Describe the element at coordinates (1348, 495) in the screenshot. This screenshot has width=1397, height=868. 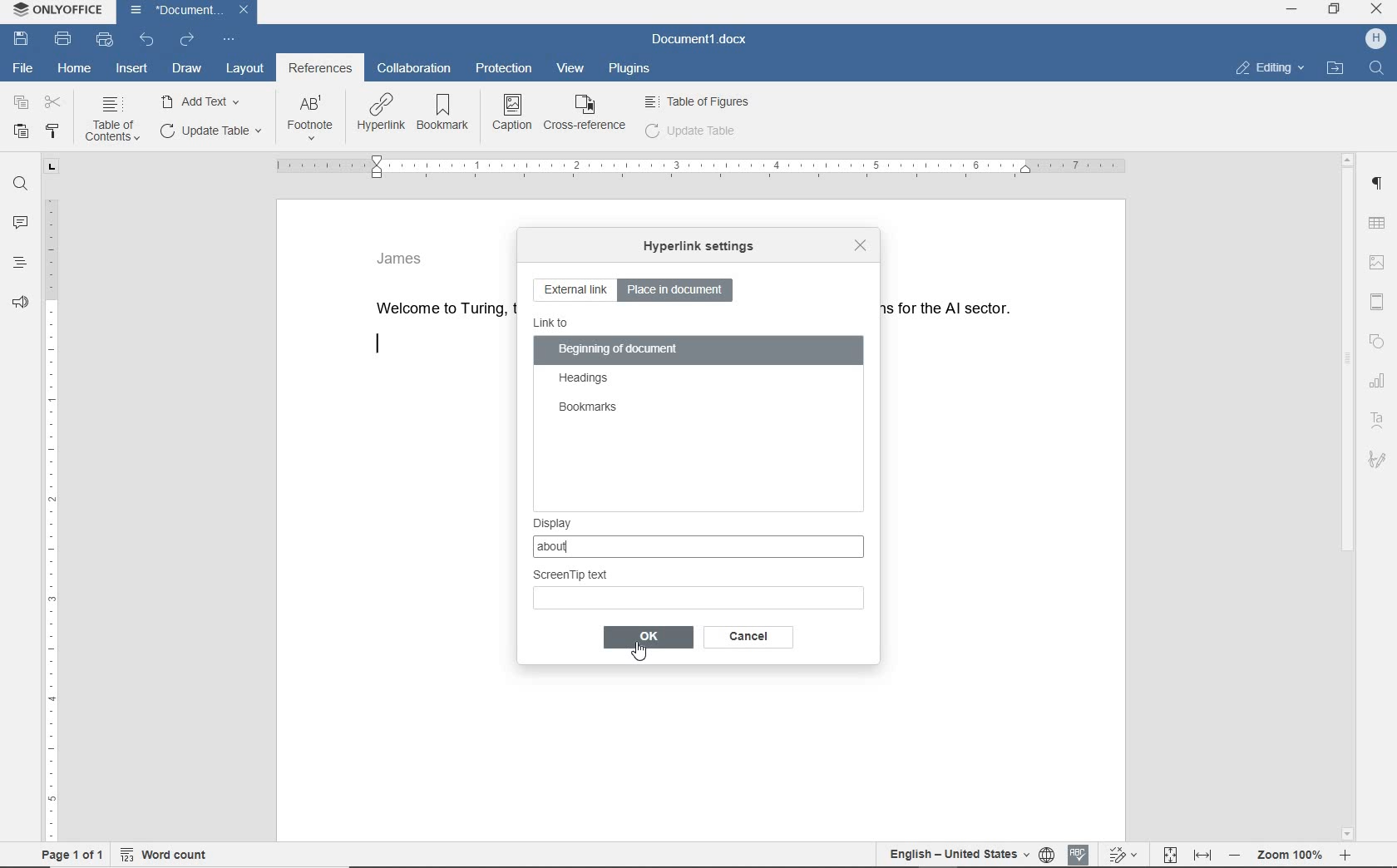
I see `scrollbar` at that location.